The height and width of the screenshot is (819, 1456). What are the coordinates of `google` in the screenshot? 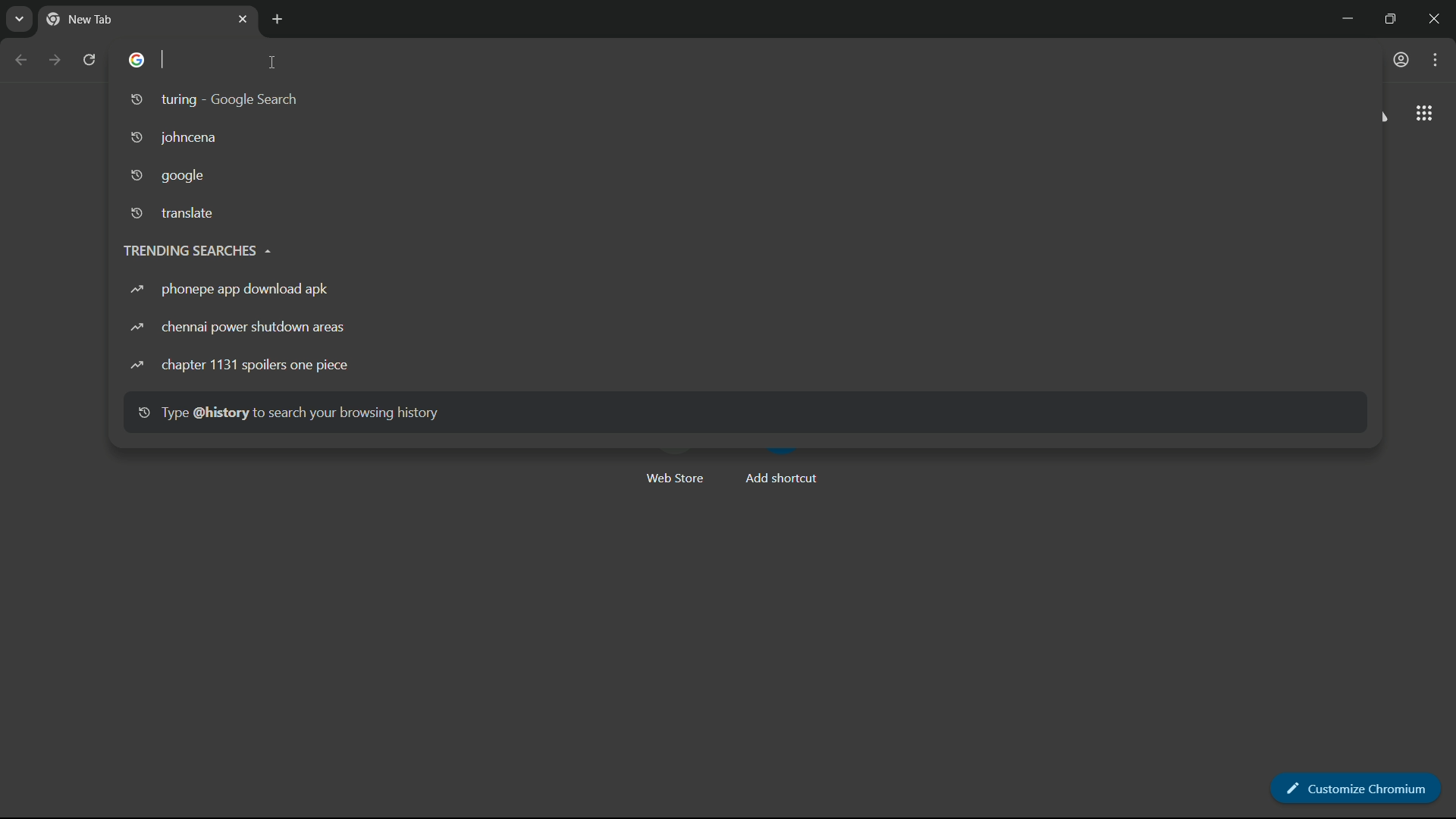 It's located at (167, 176).